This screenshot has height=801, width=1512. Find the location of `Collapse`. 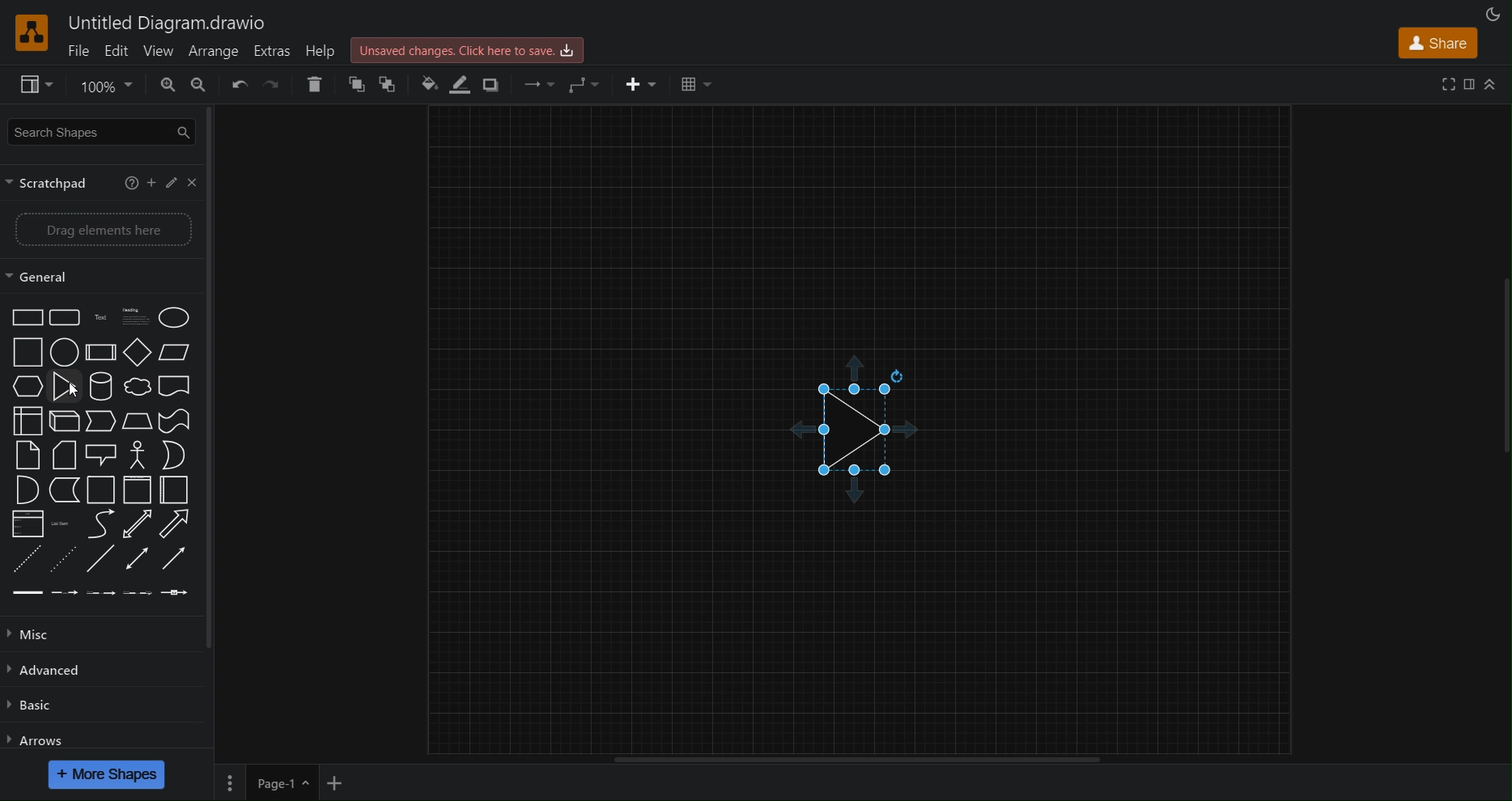

Collapse is located at coordinates (1489, 85).